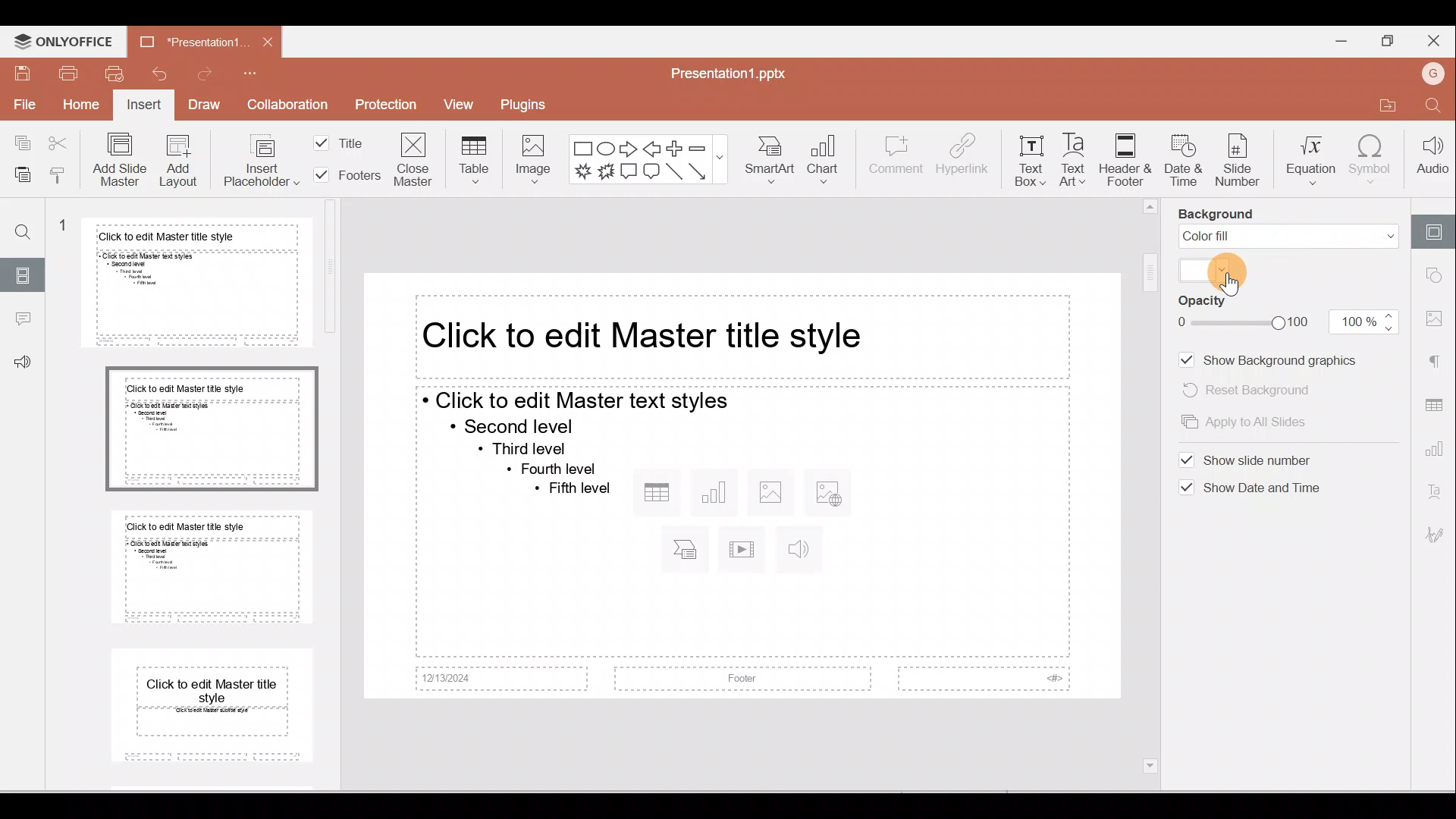 This screenshot has height=819, width=1456. What do you see at coordinates (1439, 277) in the screenshot?
I see `Shape settings` at bounding box center [1439, 277].